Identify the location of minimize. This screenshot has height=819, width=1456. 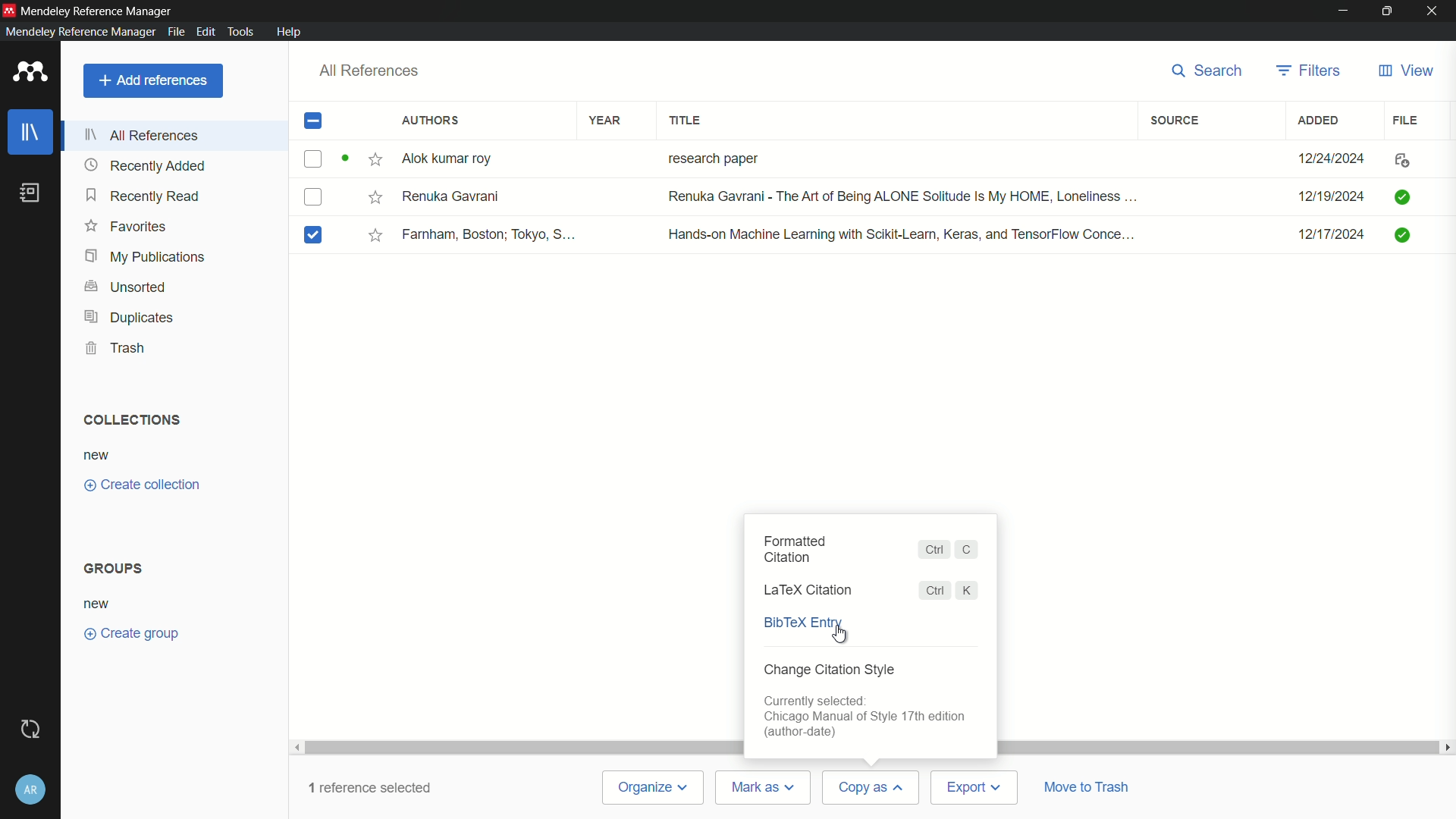
(1341, 10).